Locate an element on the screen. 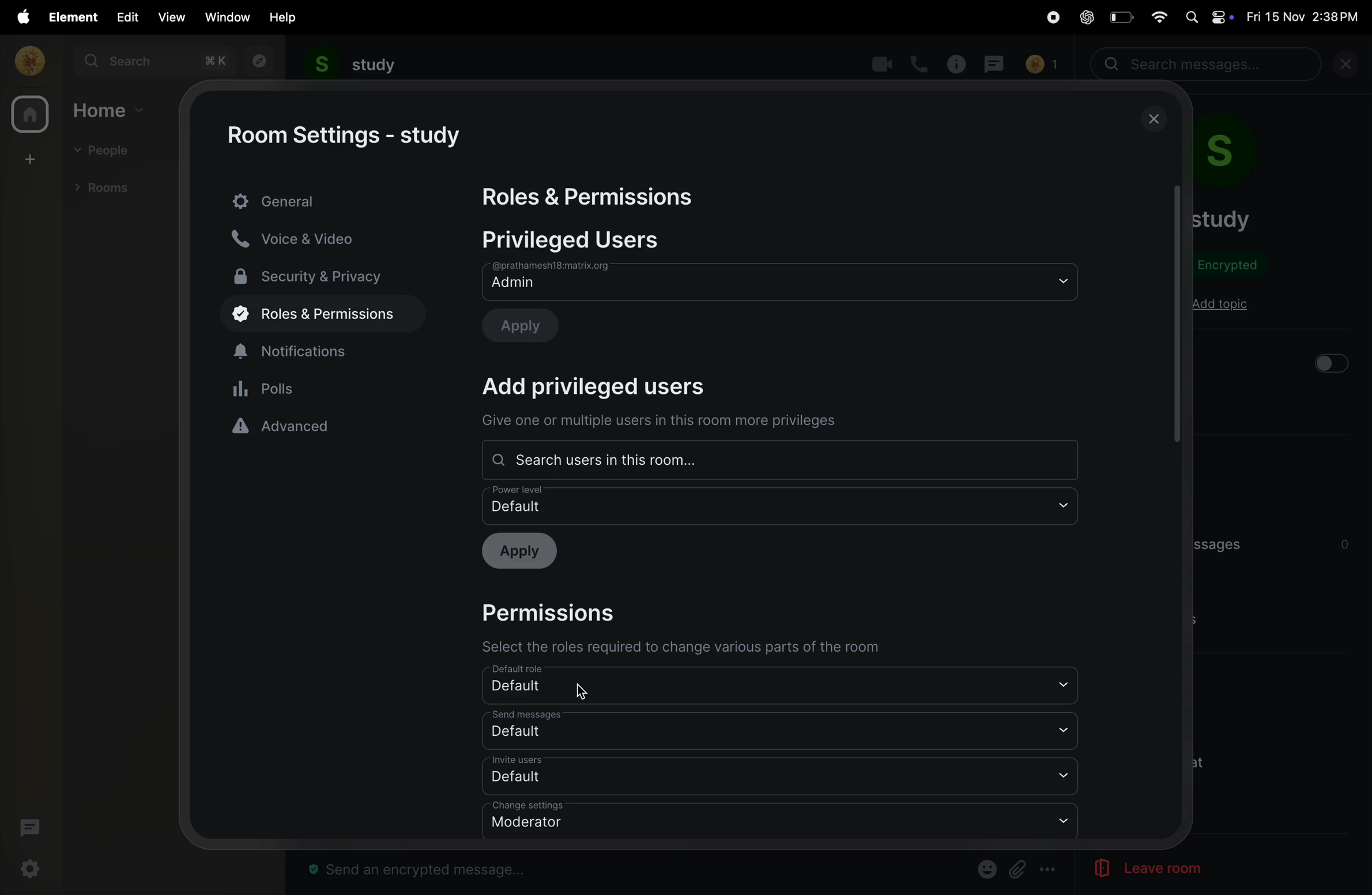 This screenshot has width=1372, height=895. encrypted is located at coordinates (1235, 267).